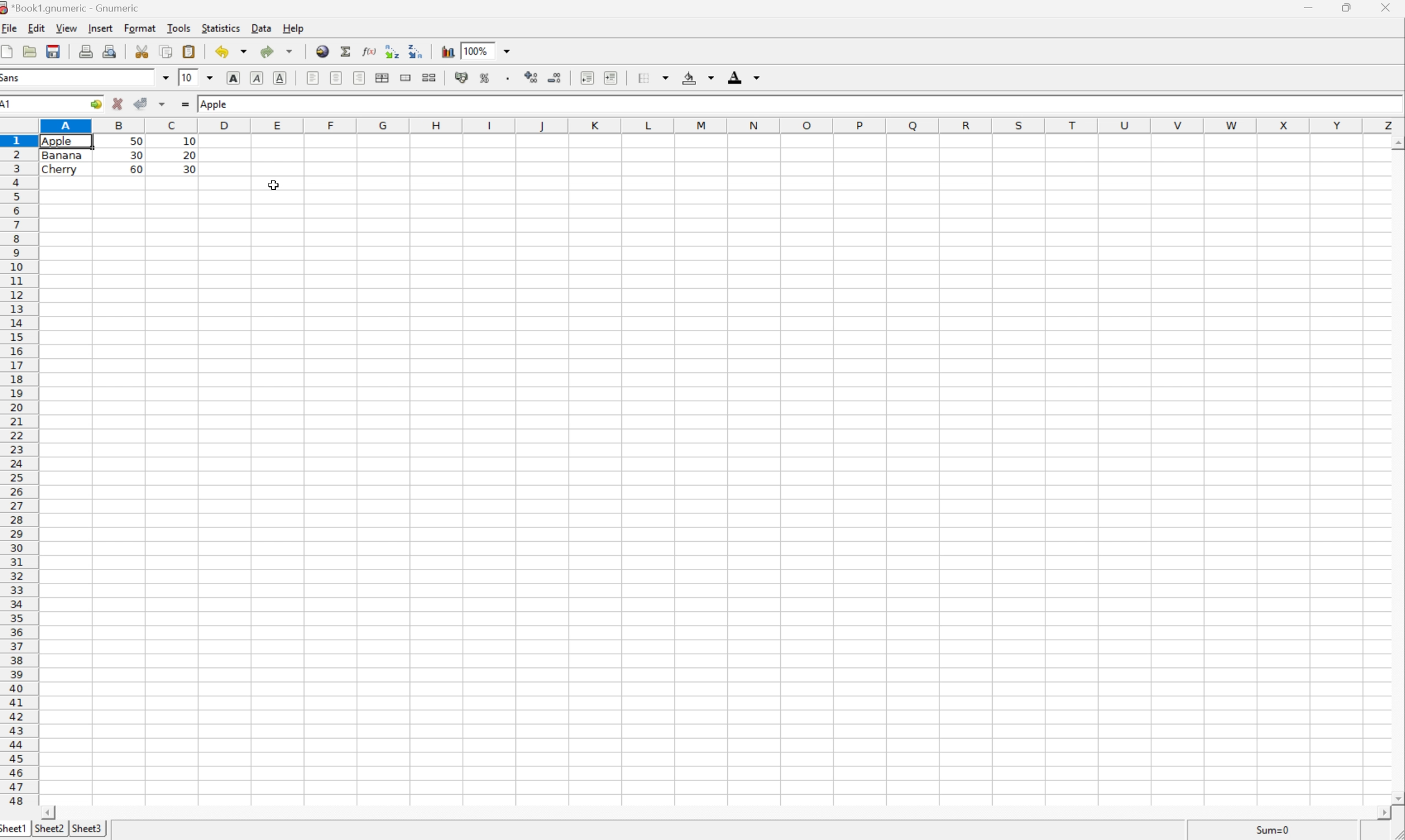  Describe the element at coordinates (1389, 8) in the screenshot. I see `close` at that location.